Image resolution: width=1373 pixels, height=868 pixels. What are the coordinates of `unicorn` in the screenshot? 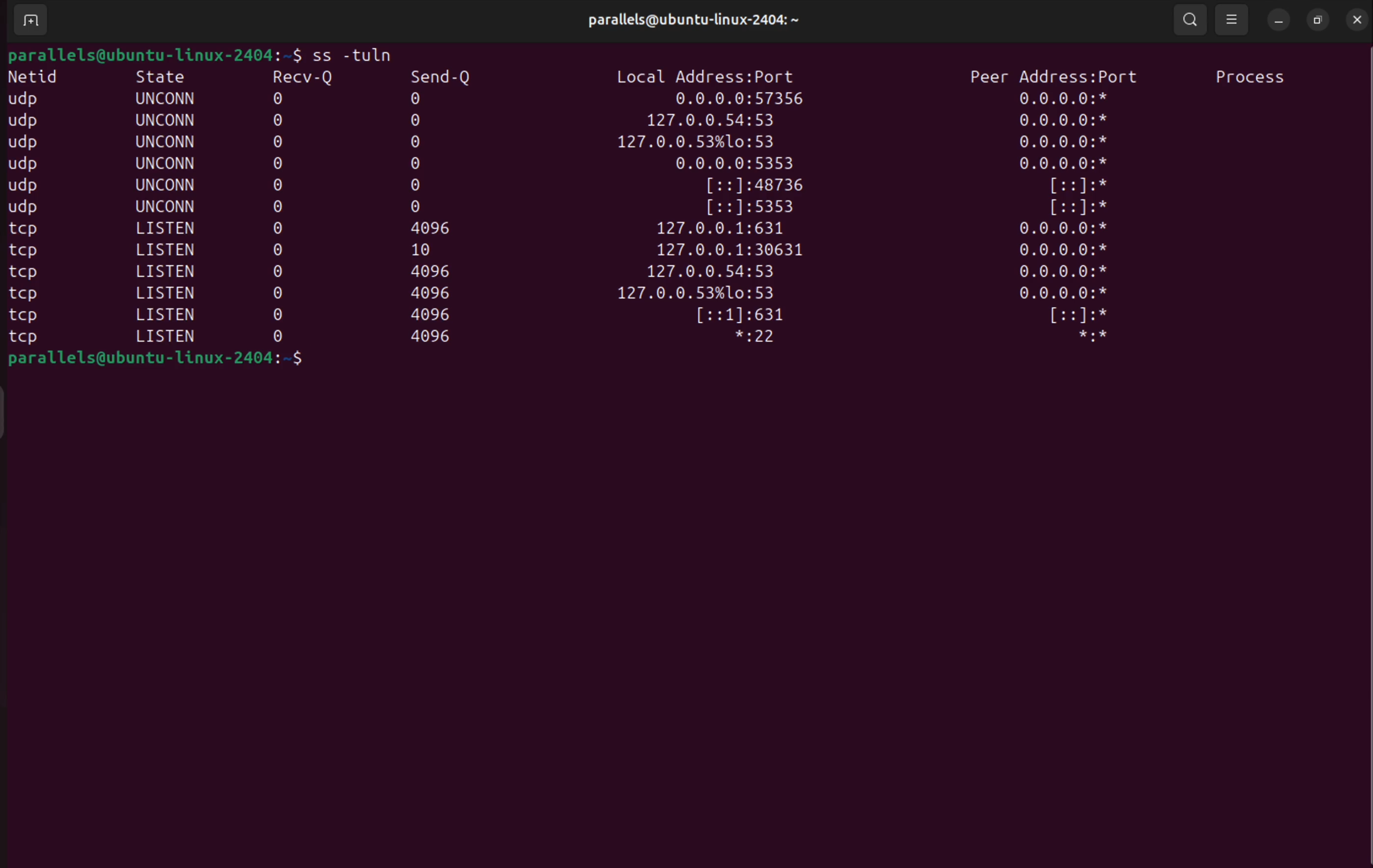 It's located at (168, 99).